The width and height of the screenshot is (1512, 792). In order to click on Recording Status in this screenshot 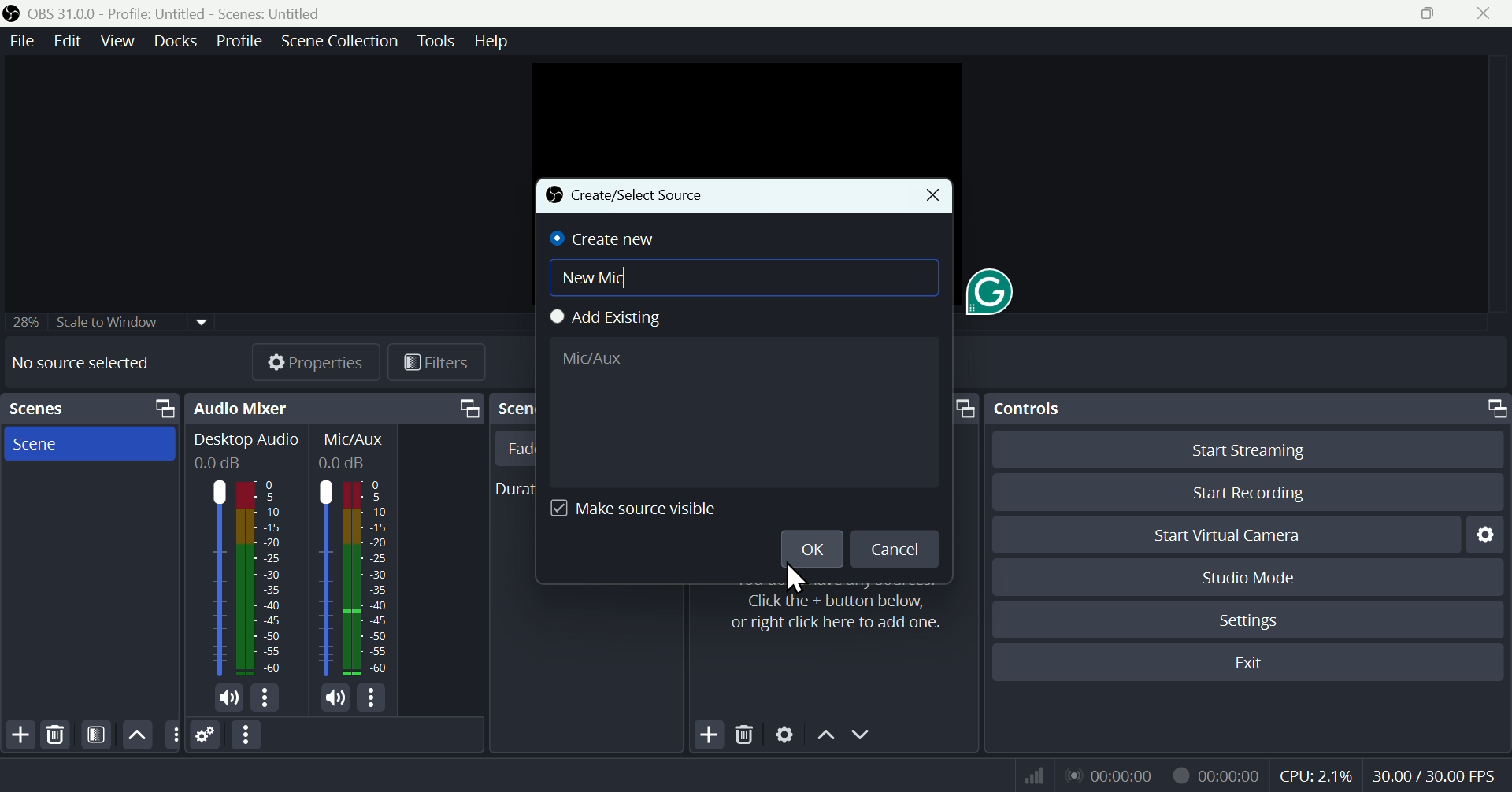, I will do `click(1217, 775)`.